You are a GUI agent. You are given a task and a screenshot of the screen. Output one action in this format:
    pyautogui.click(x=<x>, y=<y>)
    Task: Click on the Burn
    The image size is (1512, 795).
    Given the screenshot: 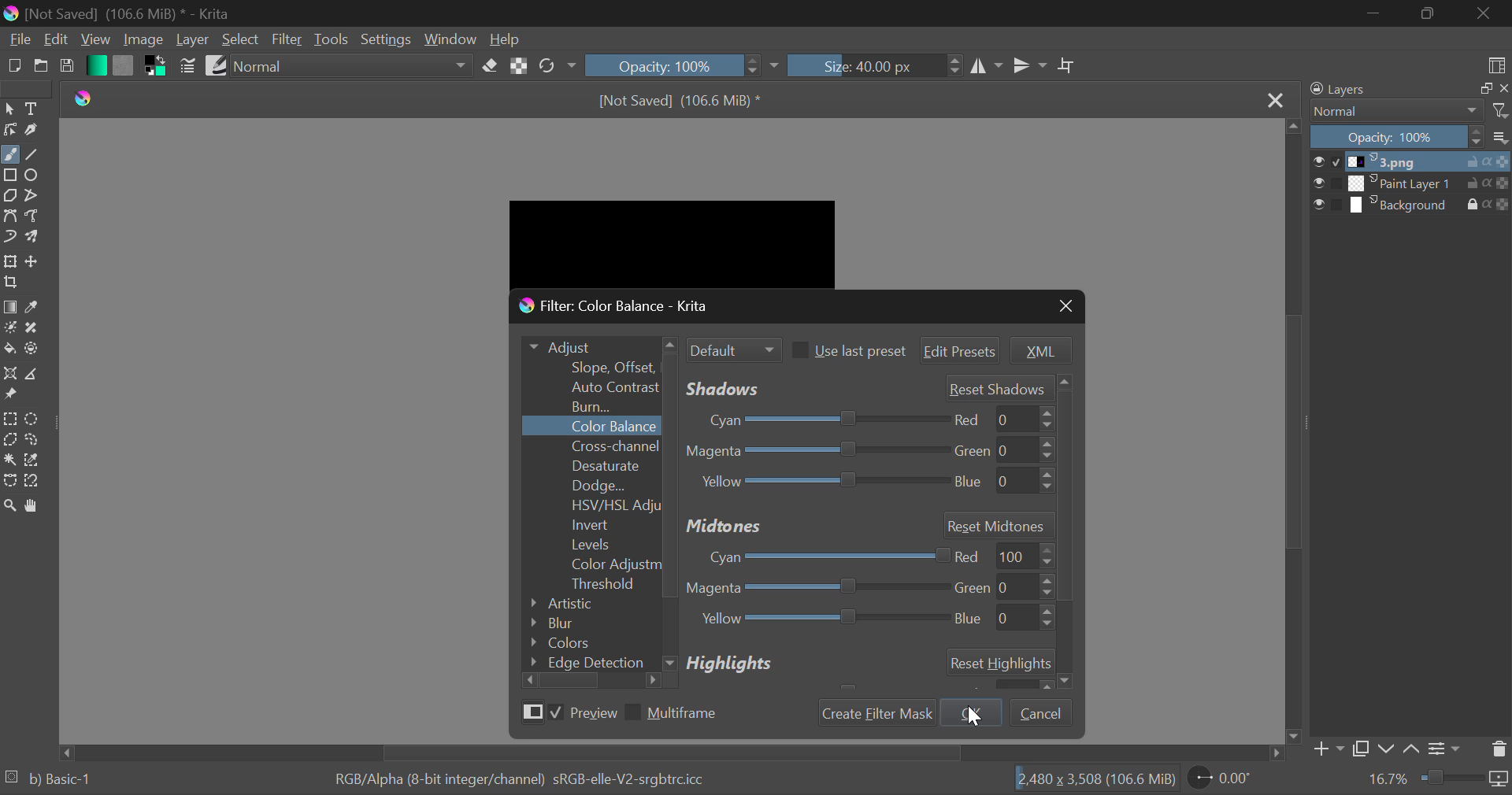 What is the action you would take?
    pyautogui.click(x=594, y=405)
    